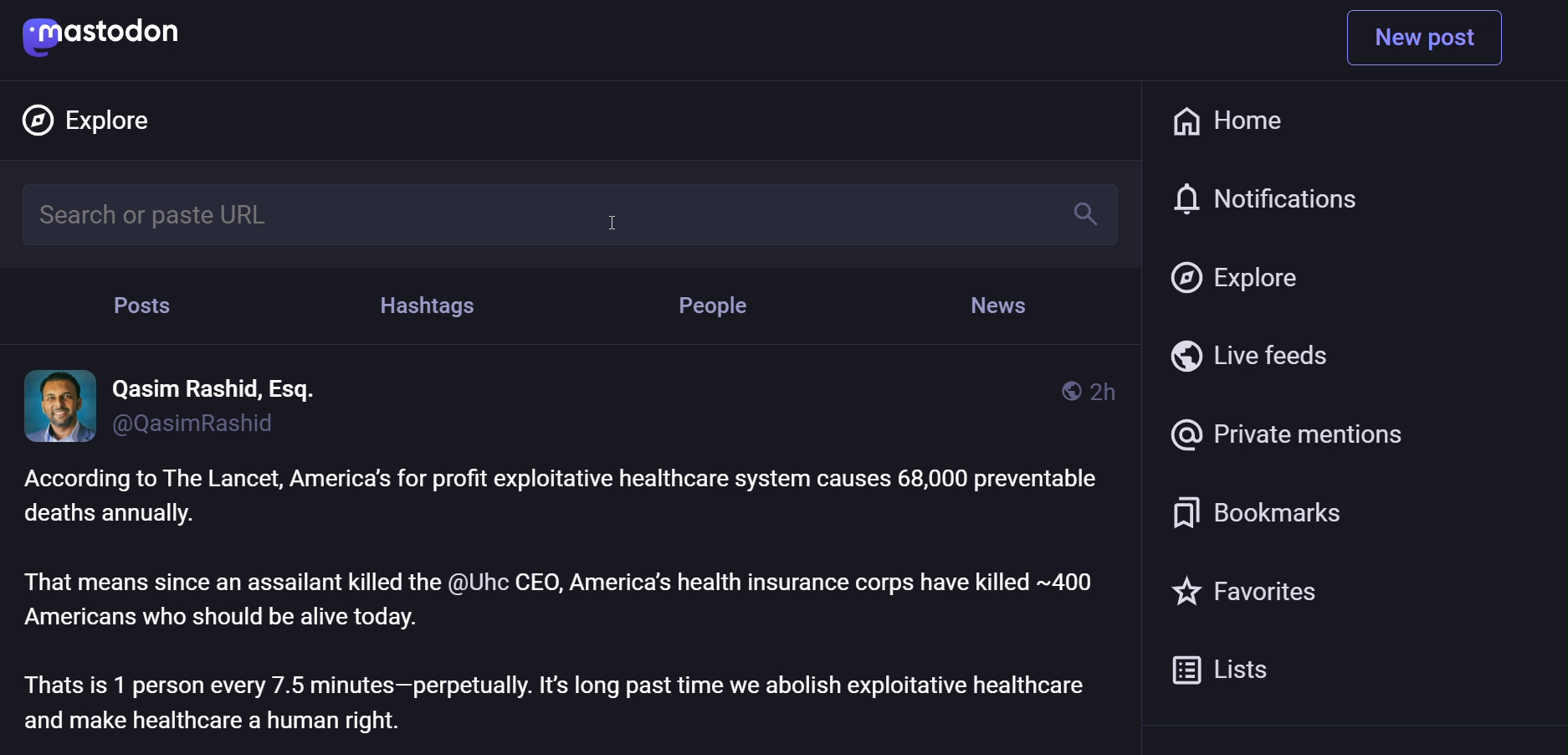 The image size is (1568, 755). What do you see at coordinates (1252, 355) in the screenshot?
I see `live feed` at bounding box center [1252, 355].